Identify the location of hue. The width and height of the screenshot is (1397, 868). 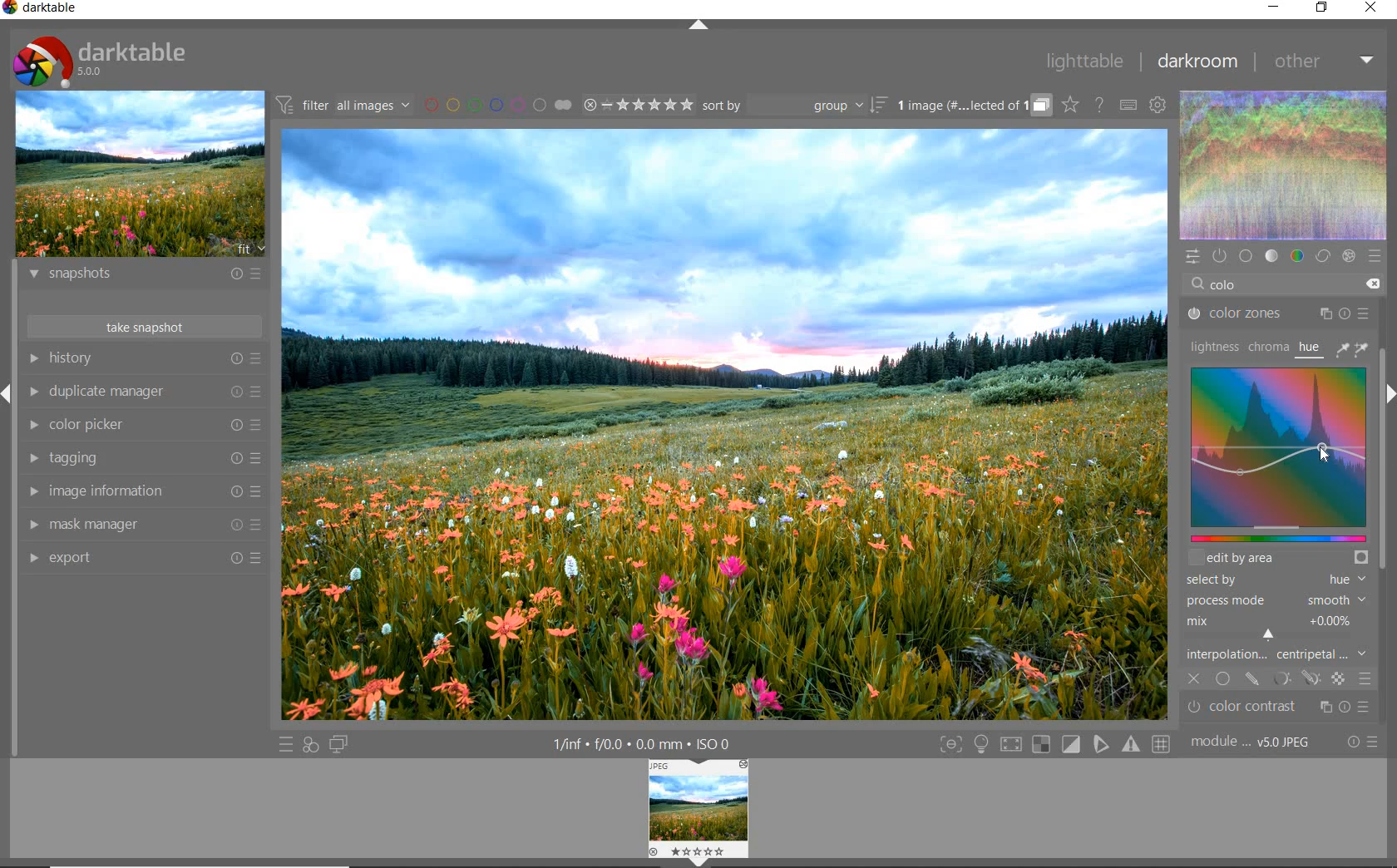
(1311, 350).